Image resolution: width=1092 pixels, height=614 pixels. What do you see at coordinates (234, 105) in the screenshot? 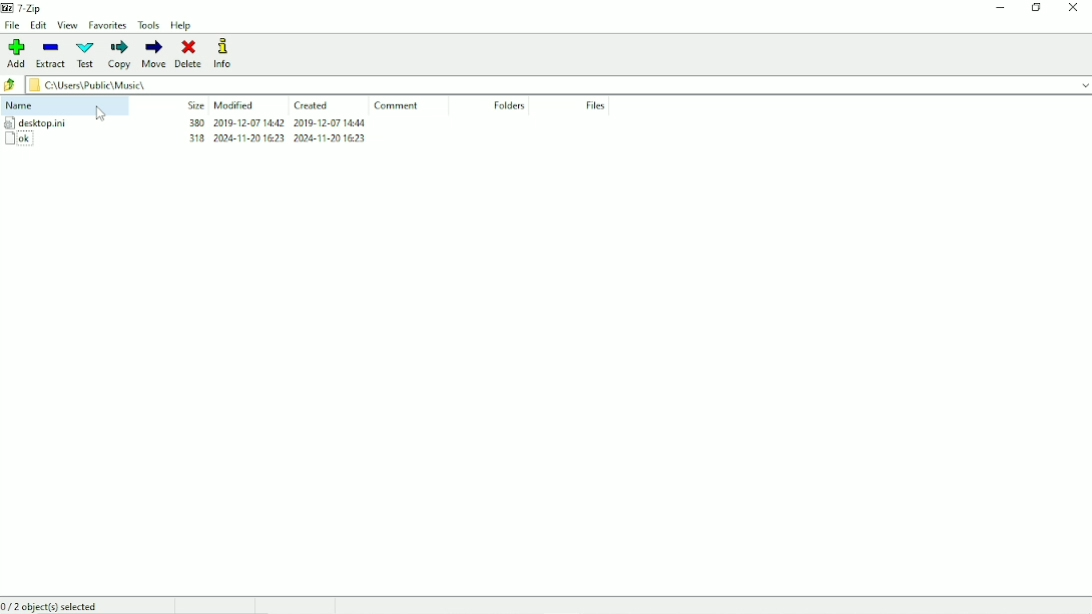
I see `Modified` at bounding box center [234, 105].